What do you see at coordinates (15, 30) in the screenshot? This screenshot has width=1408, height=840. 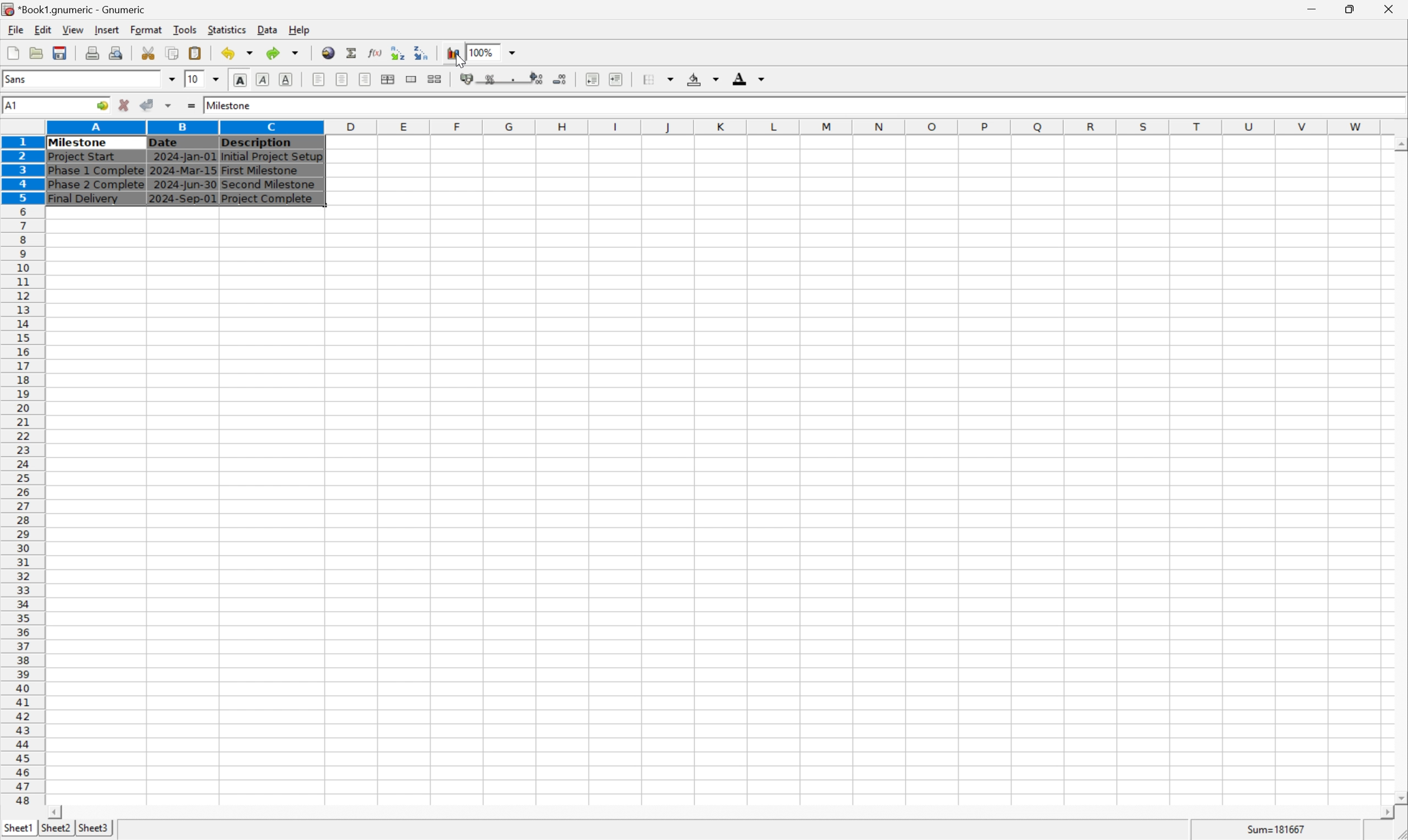 I see `file` at bounding box center [15, 30].